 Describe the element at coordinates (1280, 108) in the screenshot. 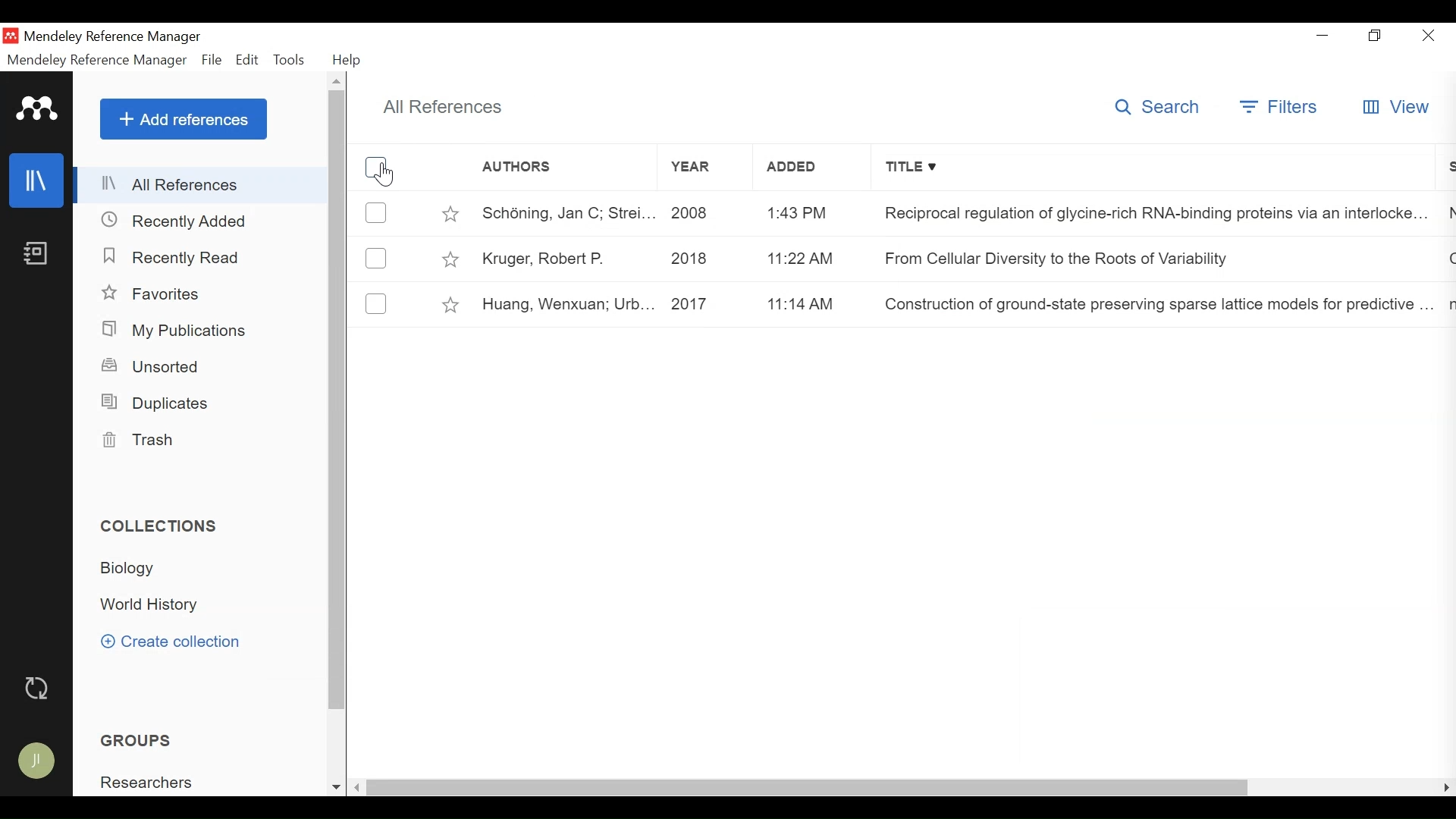

I see `Filters` at that location.